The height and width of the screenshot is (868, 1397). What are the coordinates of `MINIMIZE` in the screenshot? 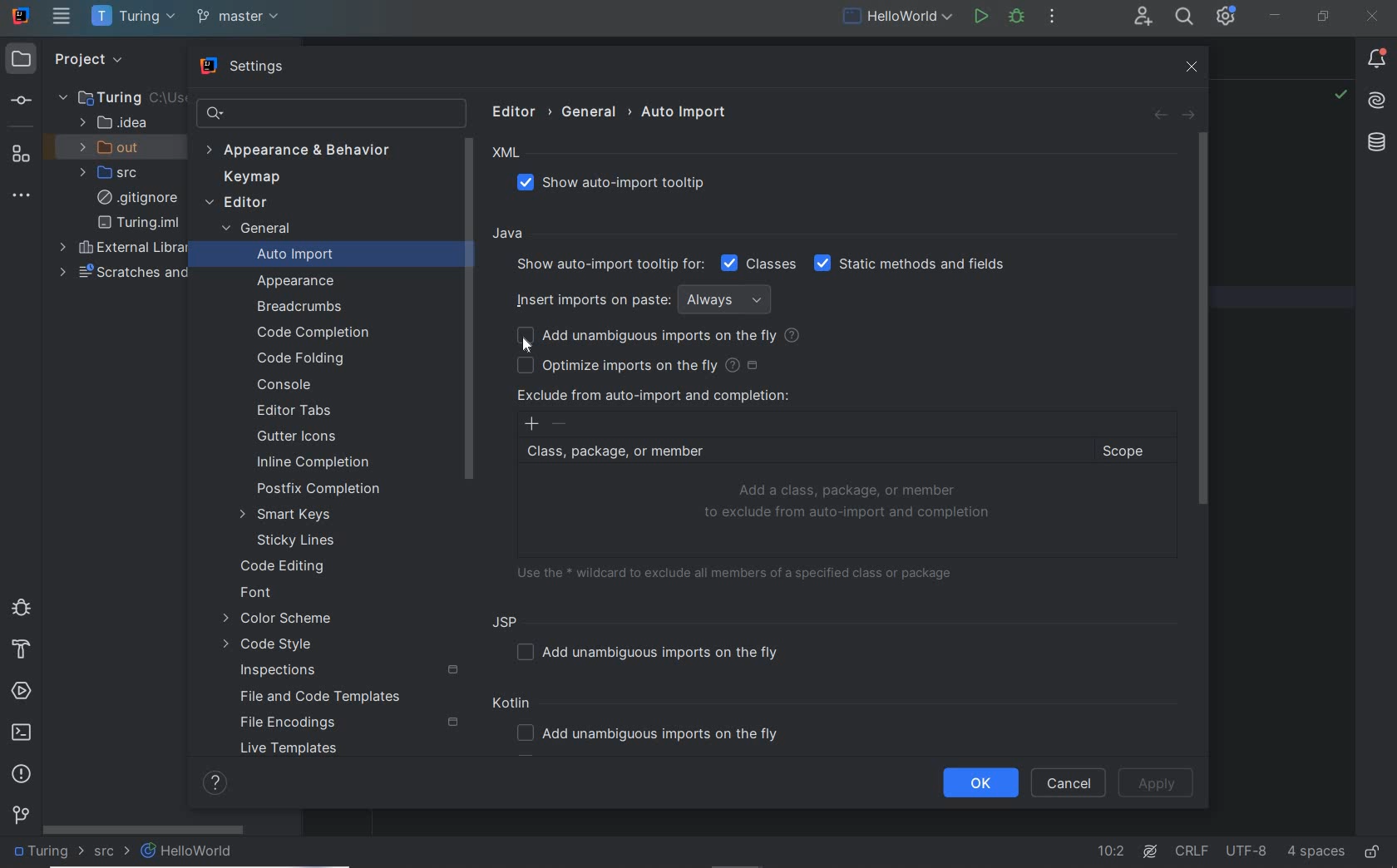 It's located at (1276, 15).